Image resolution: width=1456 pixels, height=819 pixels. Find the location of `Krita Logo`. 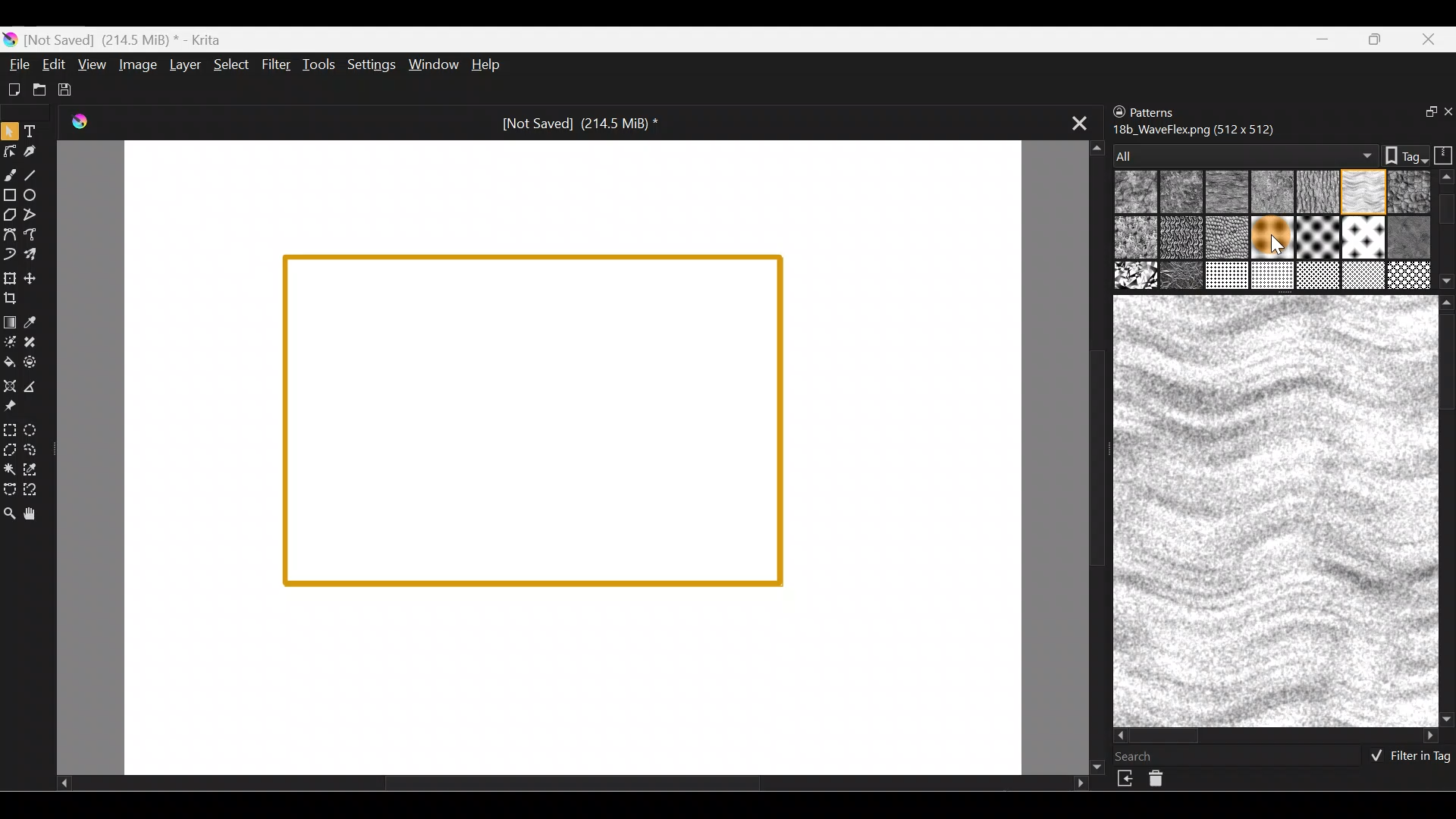

Krita Logo is located at coordinates (80, 120).